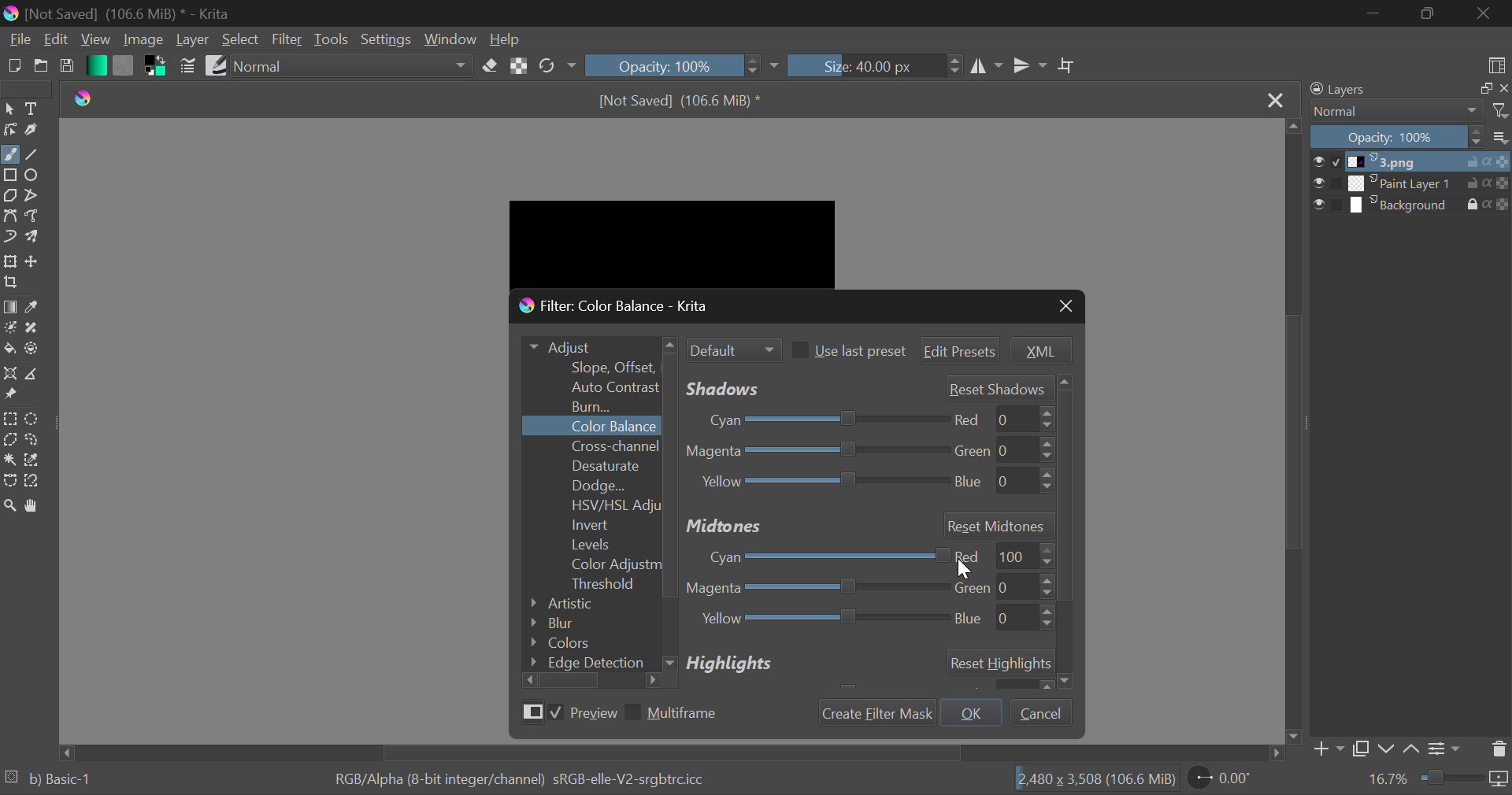 Image resolution: width=1512 pixels, height=795 pixels. What do you see at coordinates (590, 466) in the screenshot?
I see `Desaturate` at bounding box center [590, 466].